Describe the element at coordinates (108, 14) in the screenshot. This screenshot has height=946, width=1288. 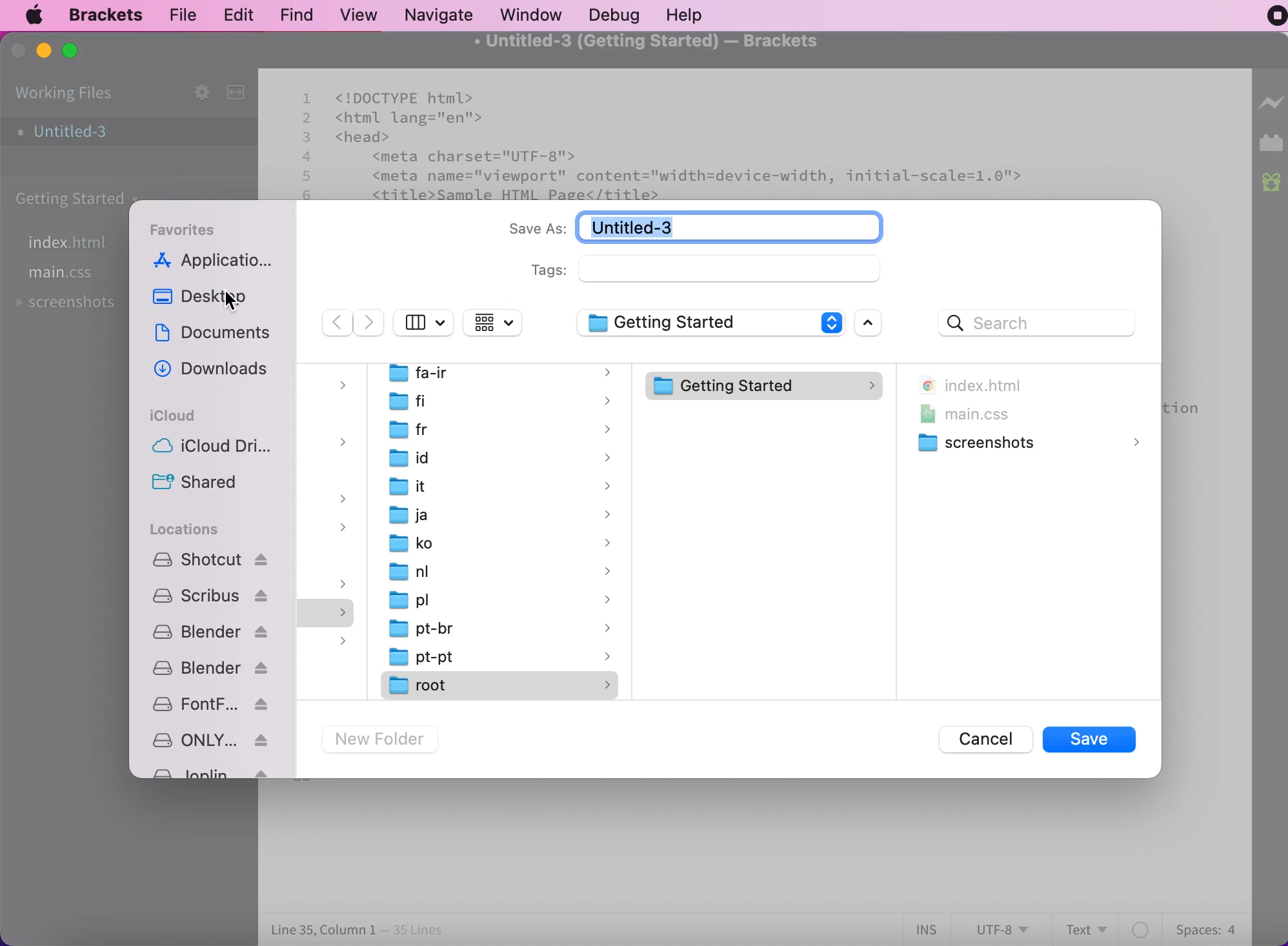
I see `brackets` at that location.